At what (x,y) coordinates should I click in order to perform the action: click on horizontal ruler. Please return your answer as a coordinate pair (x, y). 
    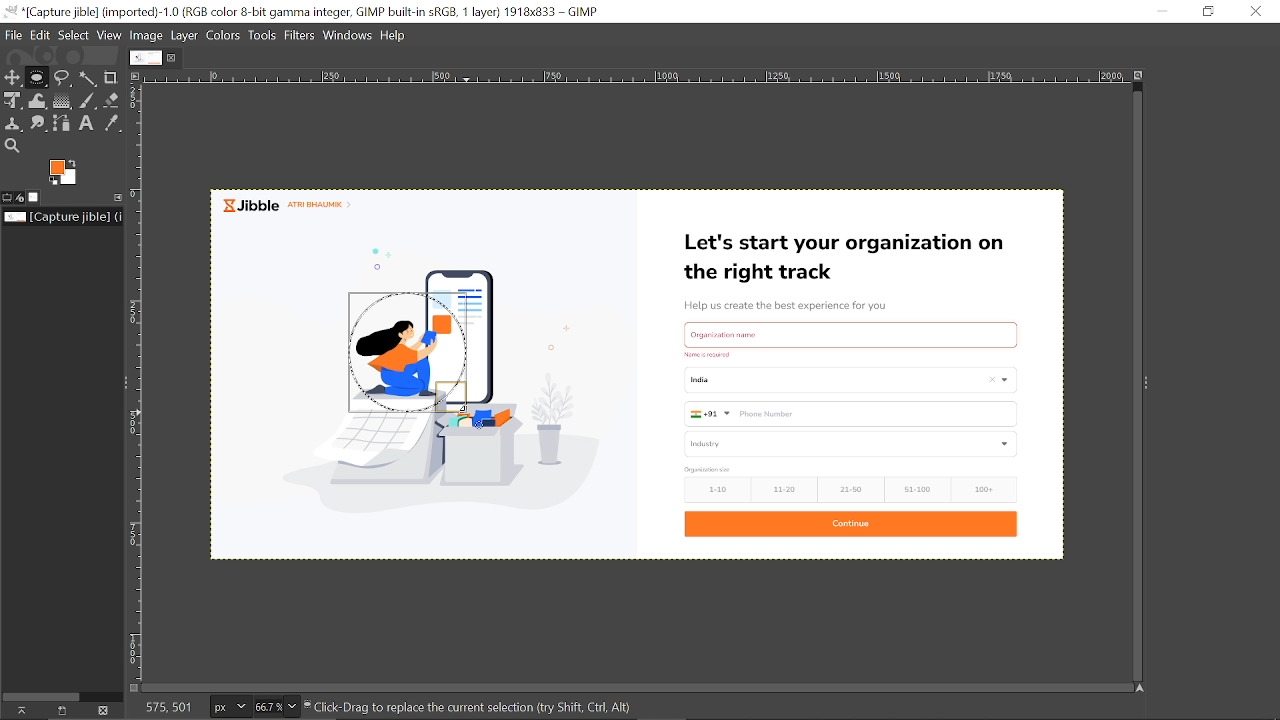
    Looking at the image, I should click on (629, 77).